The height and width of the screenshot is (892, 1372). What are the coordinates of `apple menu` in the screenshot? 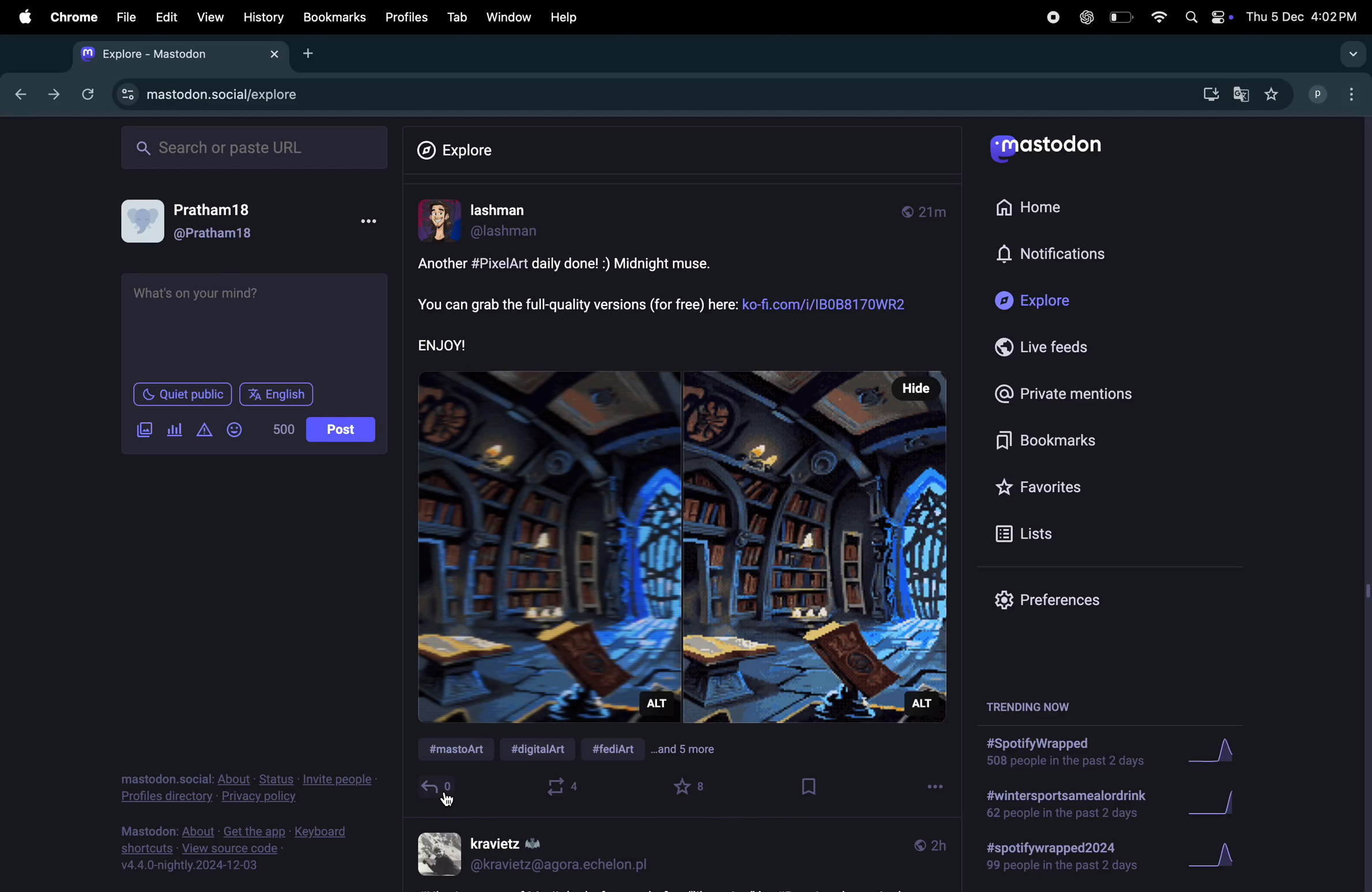 It's located at (22, 17).